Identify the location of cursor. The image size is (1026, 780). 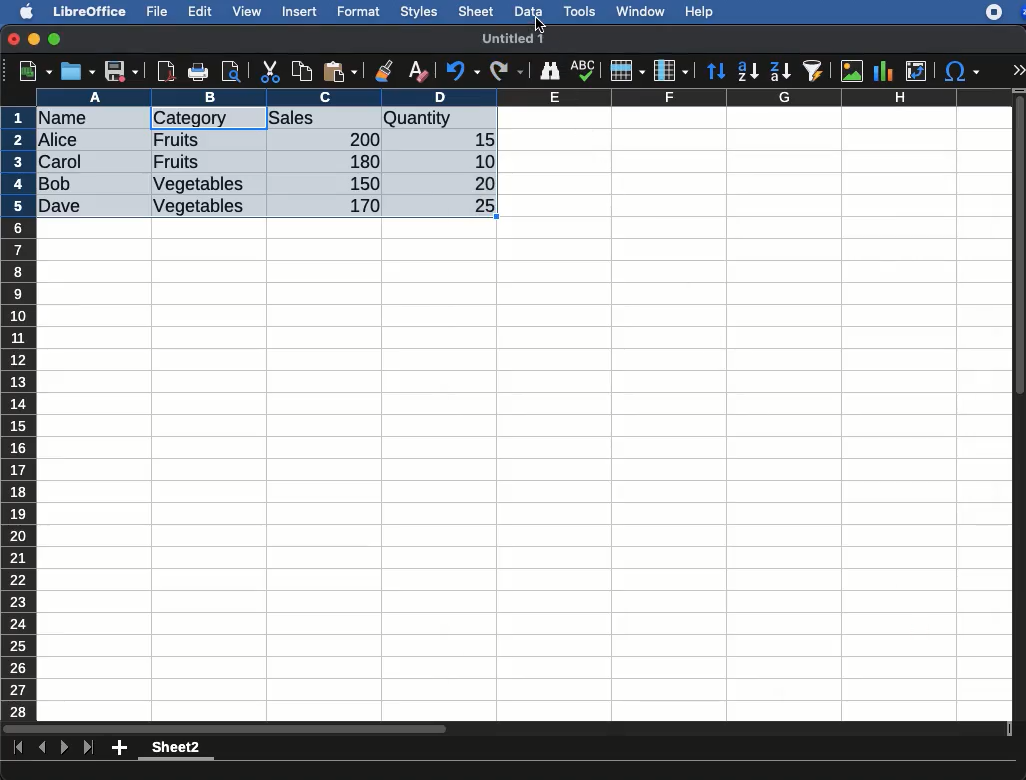
(539, 23).